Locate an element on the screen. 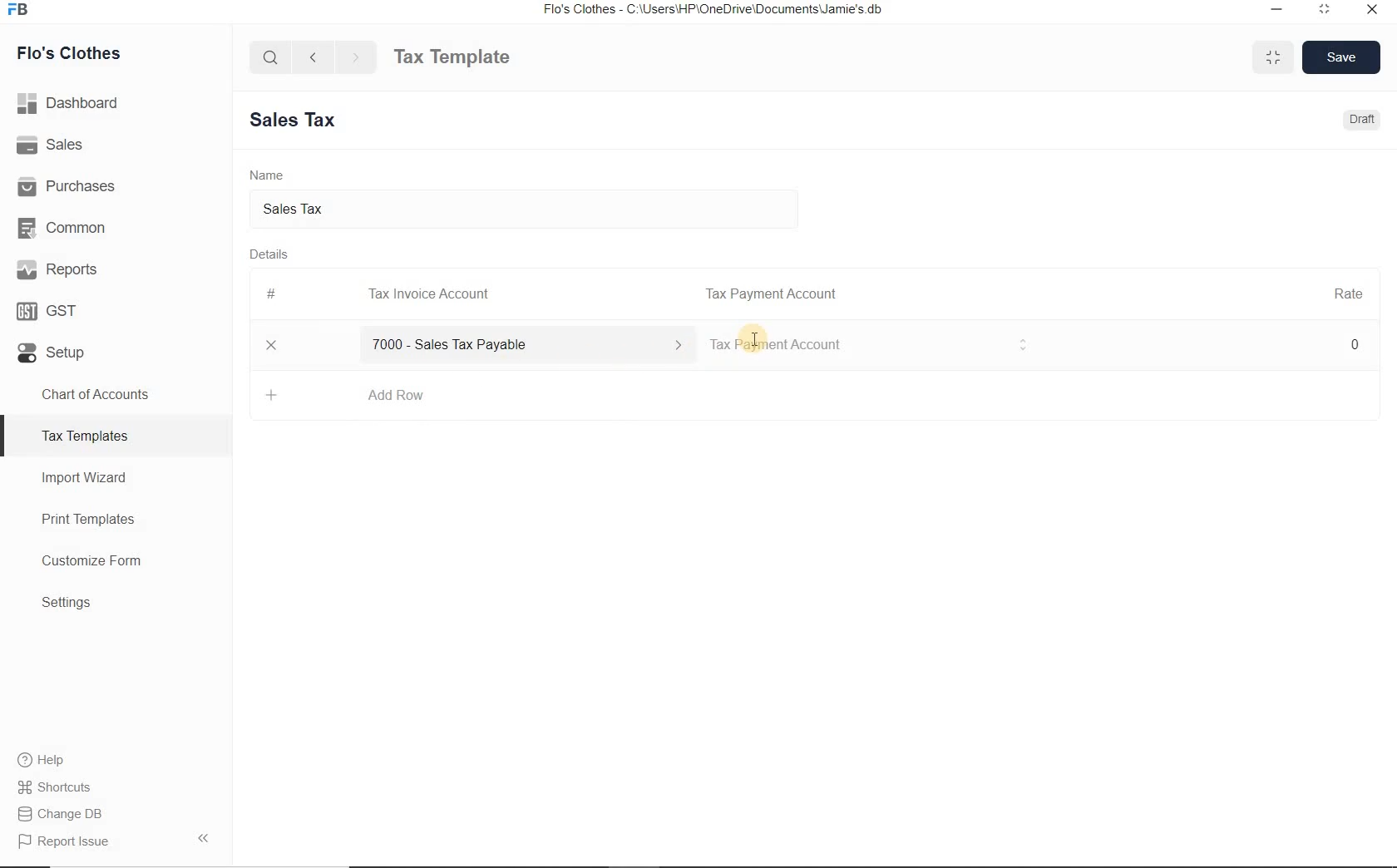 The width and height of the screenshot is (1397, 868). 7000 - Sales Tax Payable is located at coordinates (526, 348).